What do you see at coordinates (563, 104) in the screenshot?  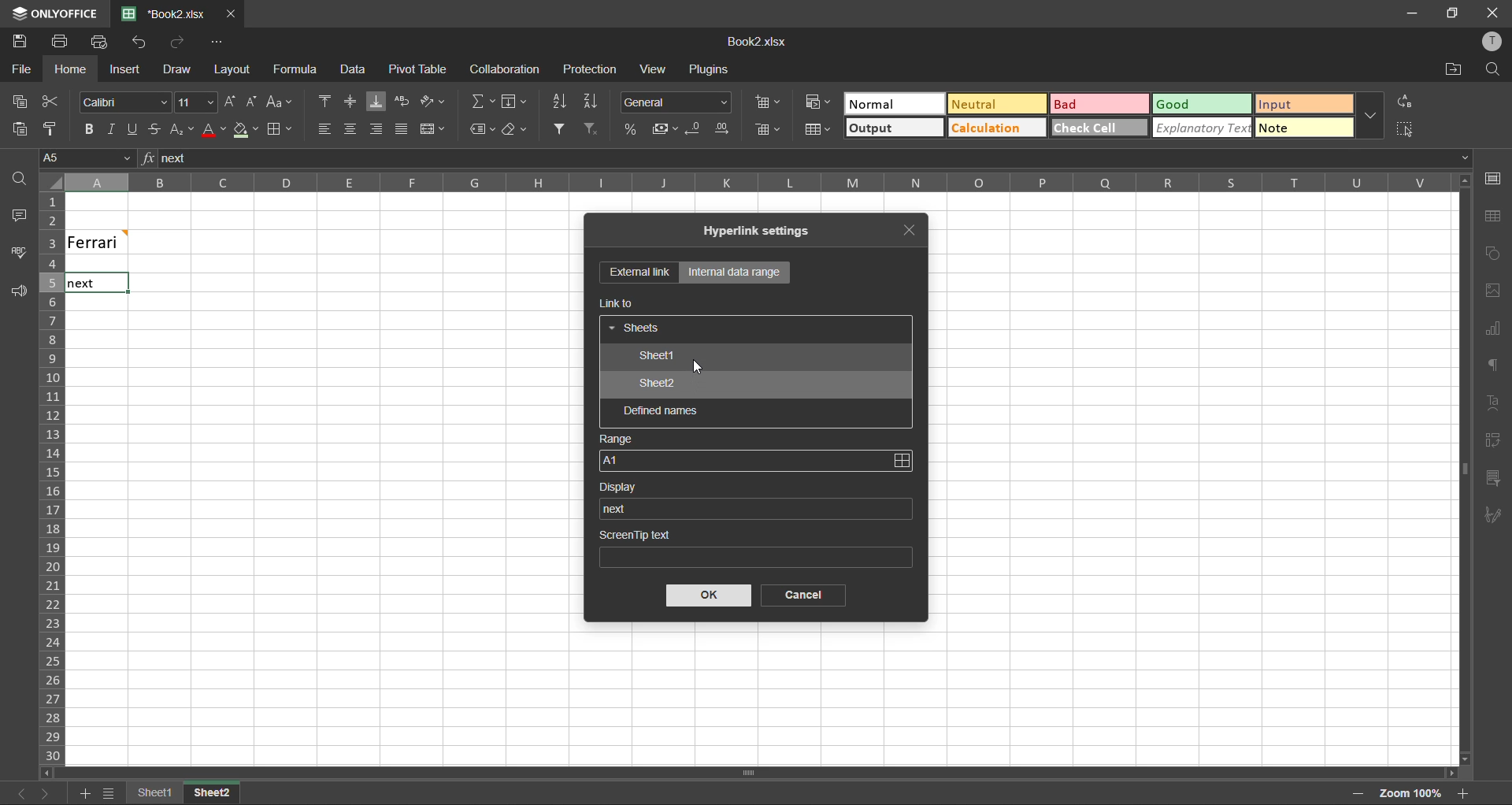 I see `sort ascending` at bounding box center [563, 104].